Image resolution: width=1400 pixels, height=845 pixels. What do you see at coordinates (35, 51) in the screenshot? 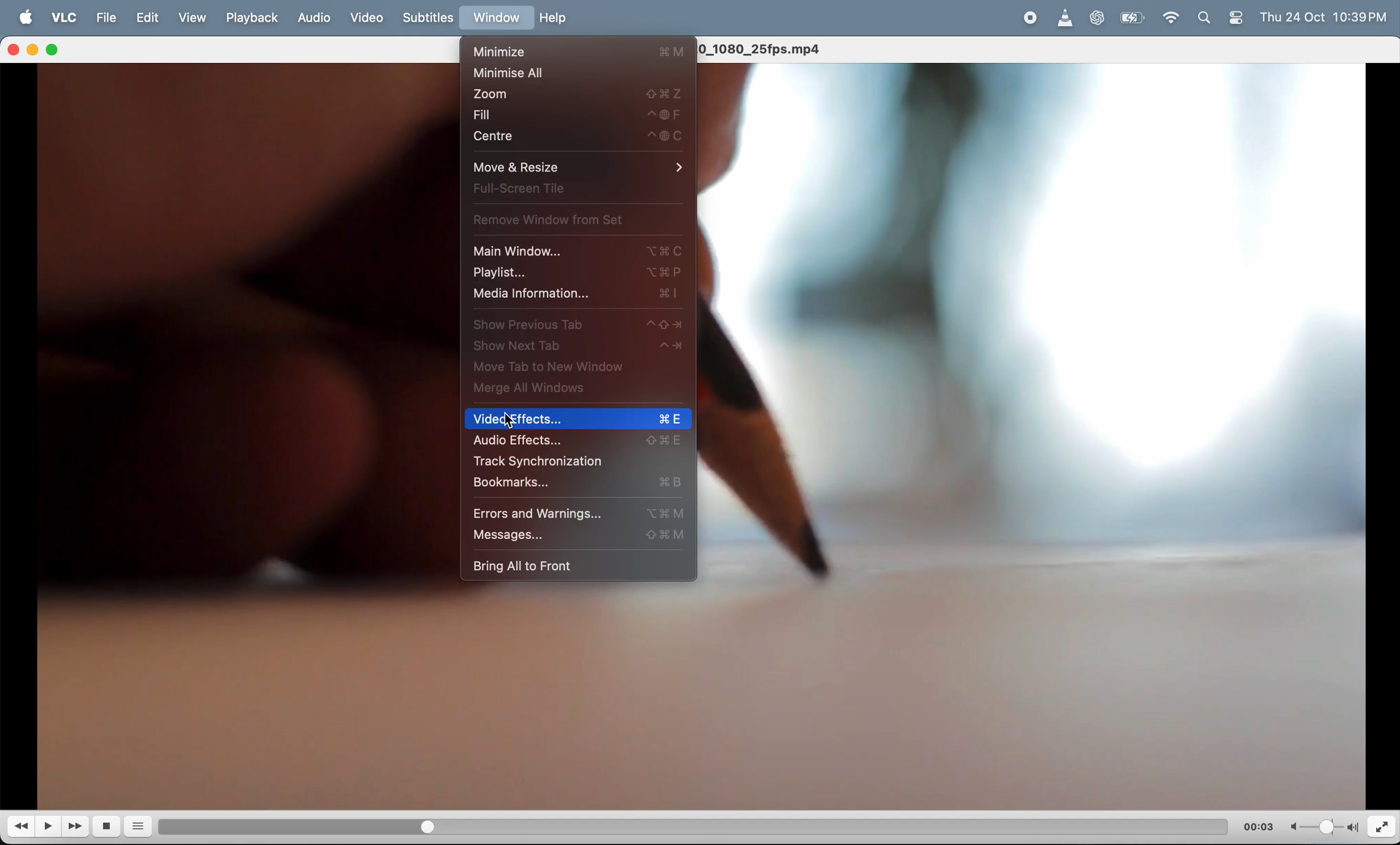
I see `minimize` at bounding box center [35, 51].